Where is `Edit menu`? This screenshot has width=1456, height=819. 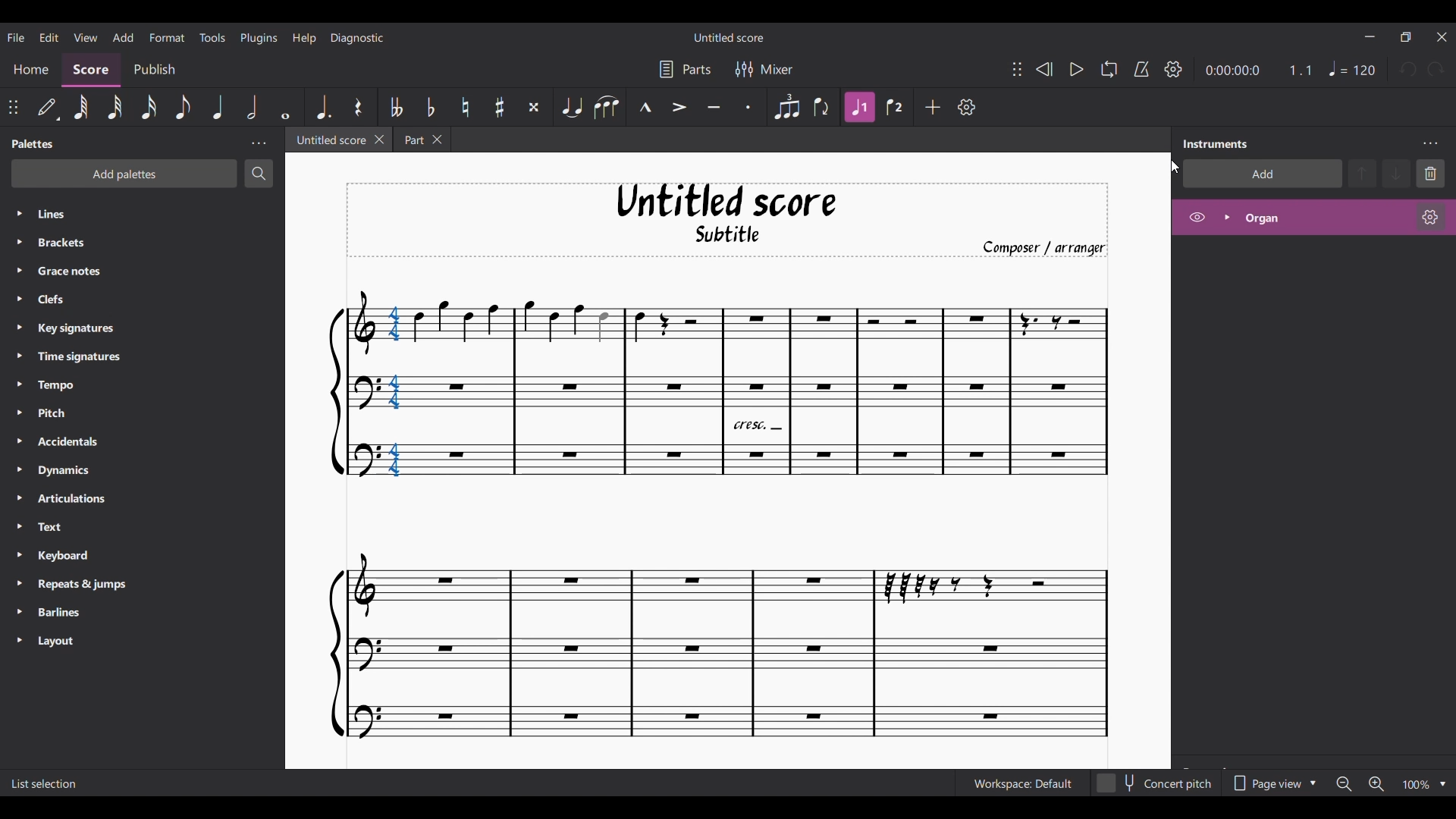 Edit menu is located at coordinates (49, 36).